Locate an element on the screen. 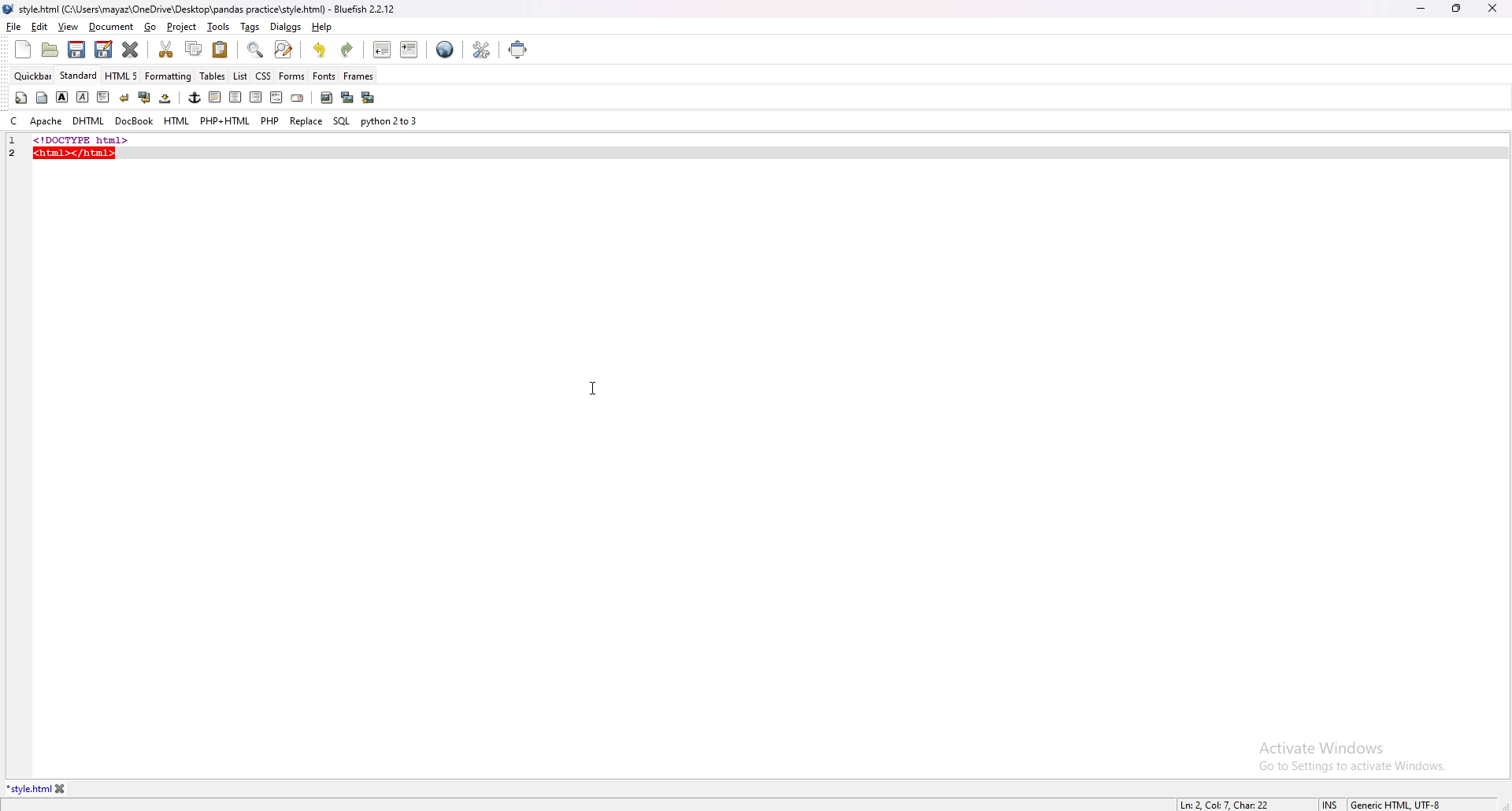 The image size is (1512, 811). break and clear is located at coordinates (143, 98).